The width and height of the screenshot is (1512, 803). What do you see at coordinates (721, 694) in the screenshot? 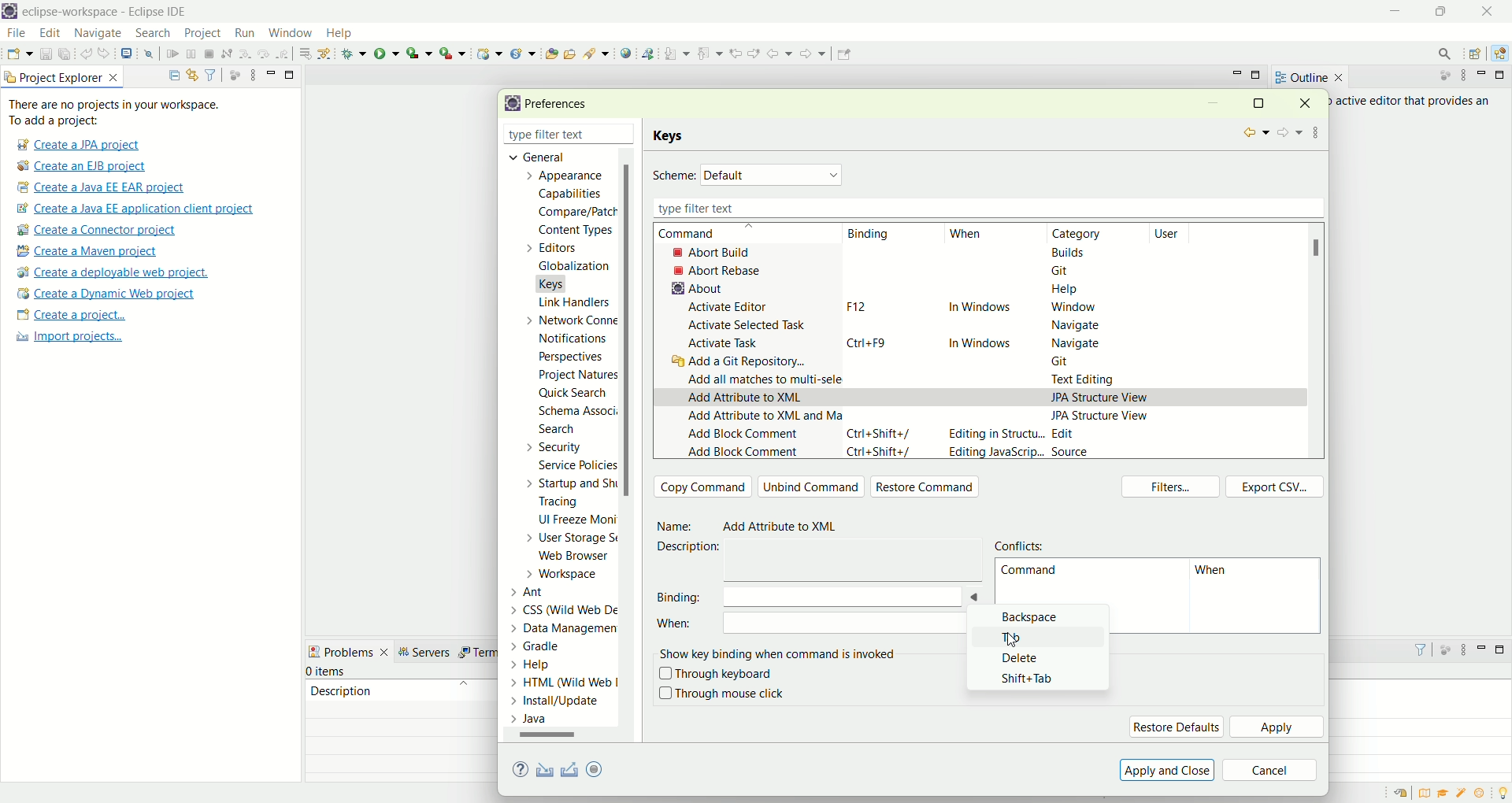
I see `through mouse click` at bounding box center [721, 694].